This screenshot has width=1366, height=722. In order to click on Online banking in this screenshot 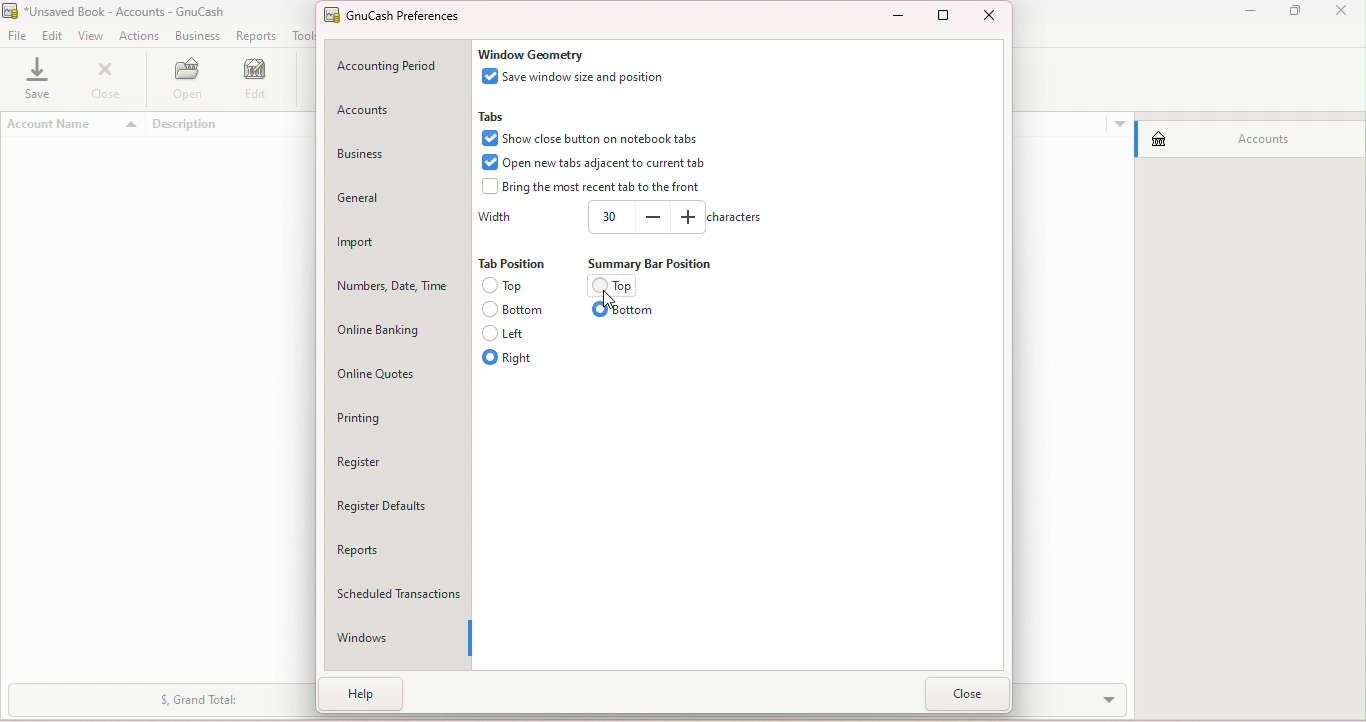, I will do `click(394, 323)`.